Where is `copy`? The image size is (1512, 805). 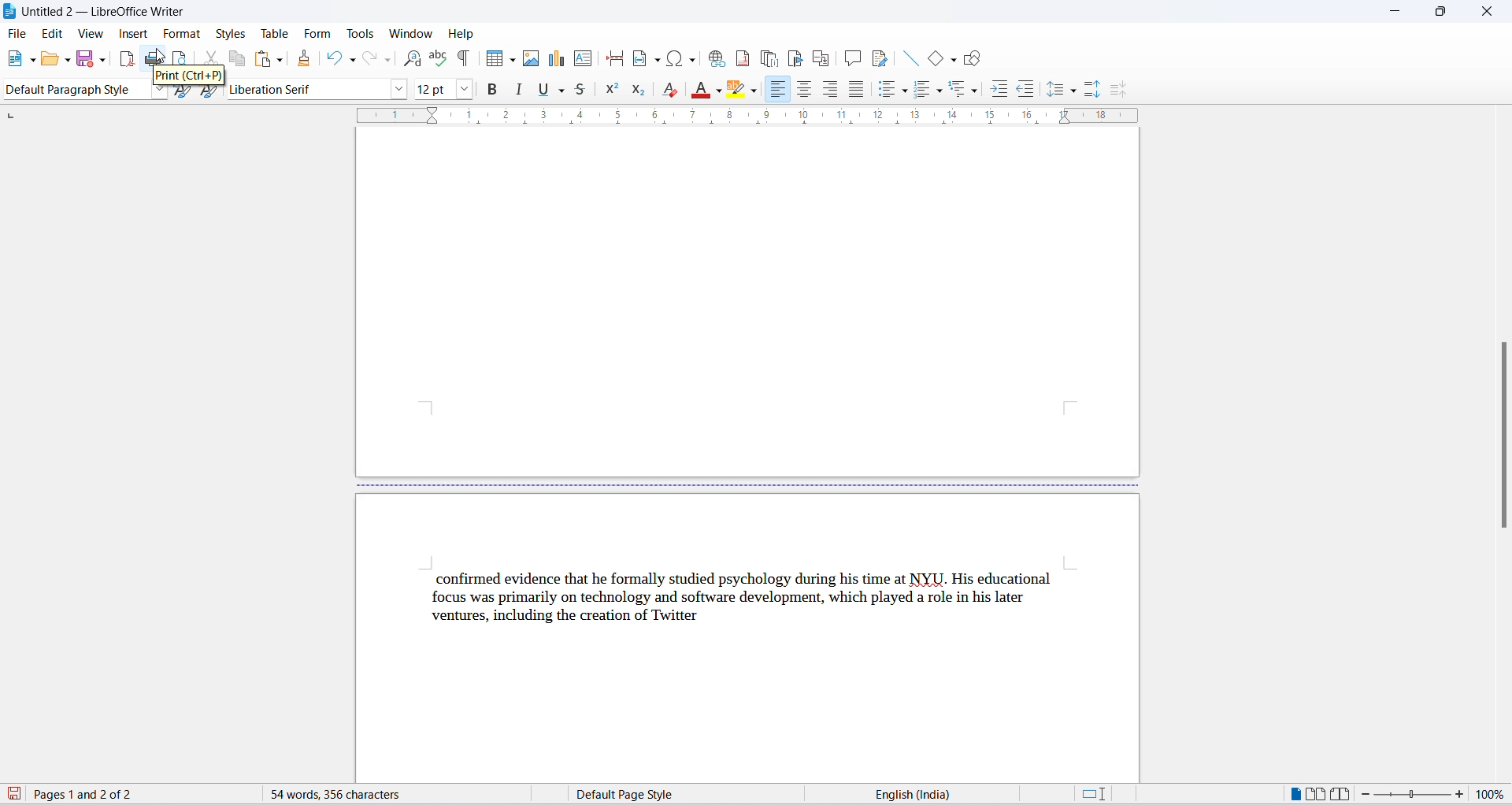 copy is located at coordinates (238, 57).